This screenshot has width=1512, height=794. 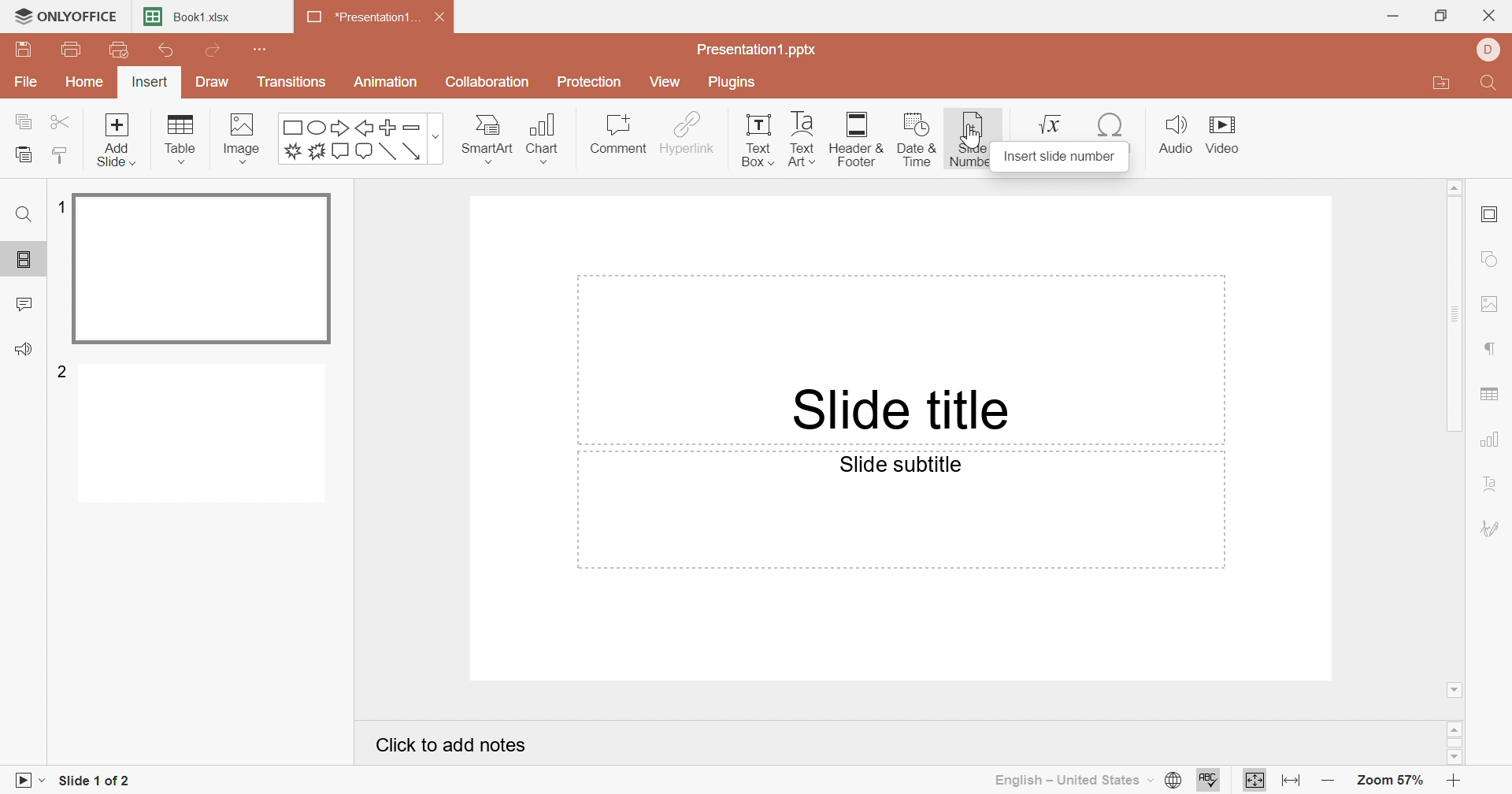 I want to click on Zoom out, so click(x=1329, y=784).